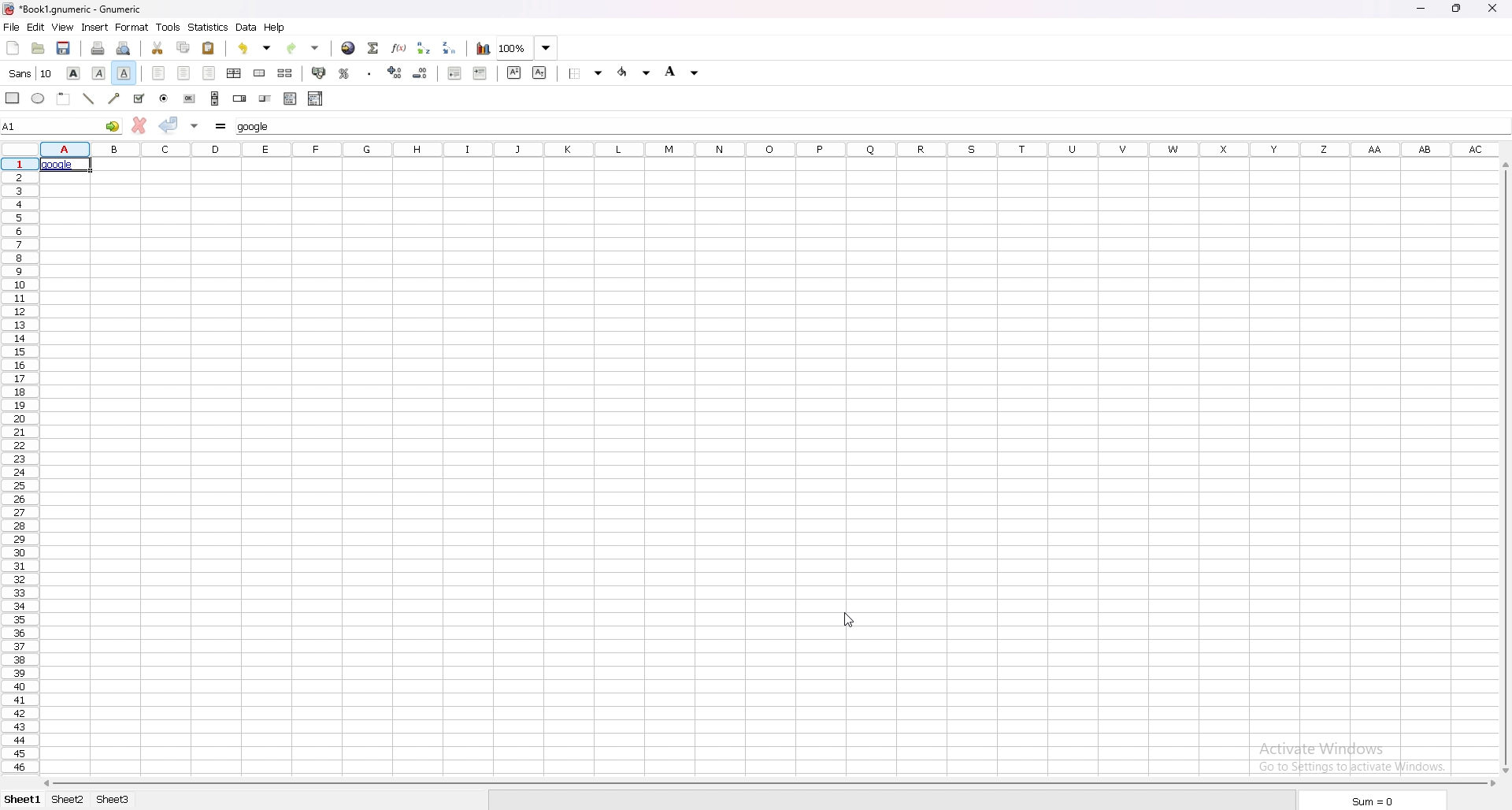 Image resolution: width=1512 pixels, height=810 pixels. I want to click on foreground, so click(636, 72).